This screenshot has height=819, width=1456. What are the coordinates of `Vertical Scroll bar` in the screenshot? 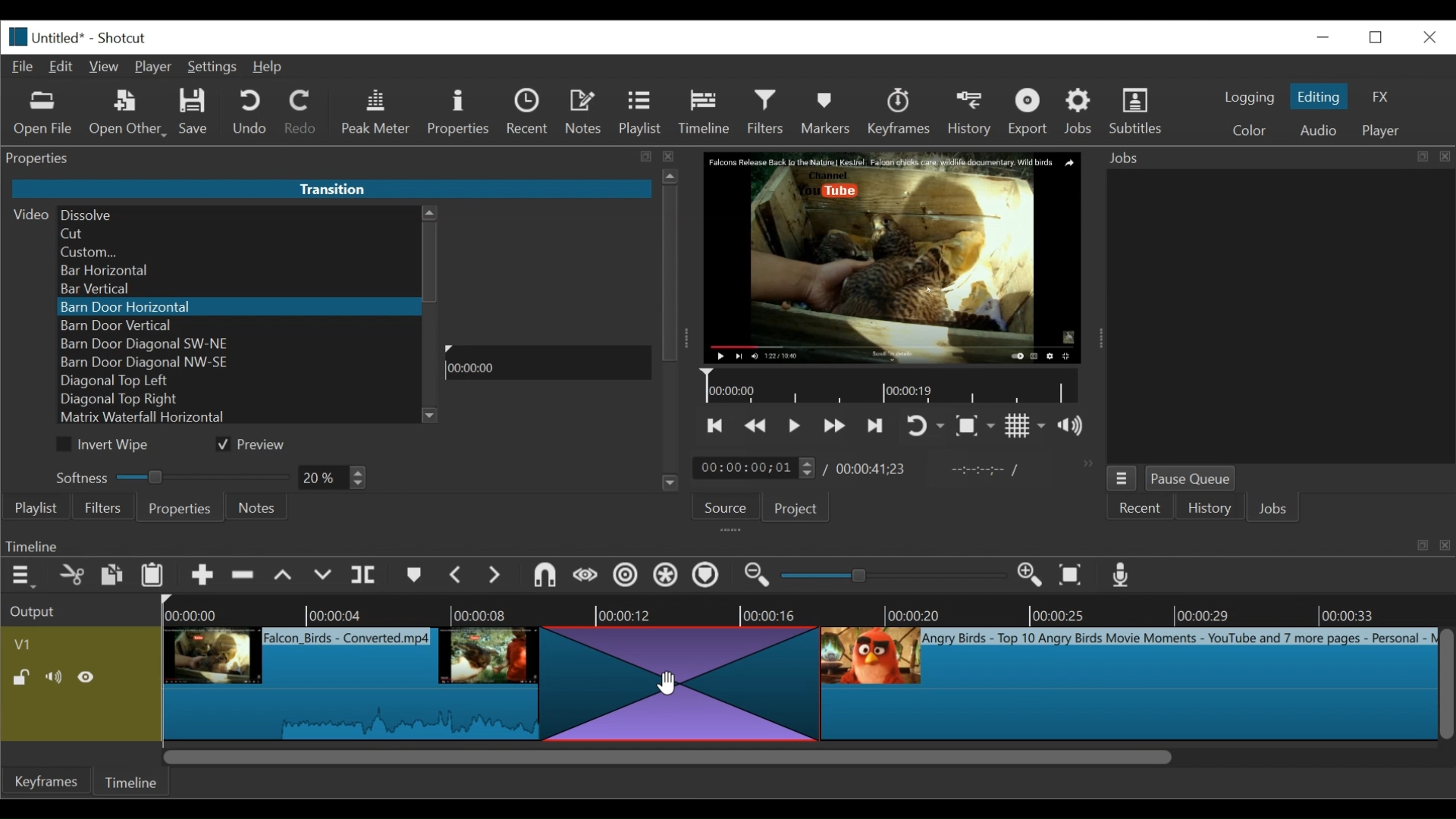 It's located at (431, 262).